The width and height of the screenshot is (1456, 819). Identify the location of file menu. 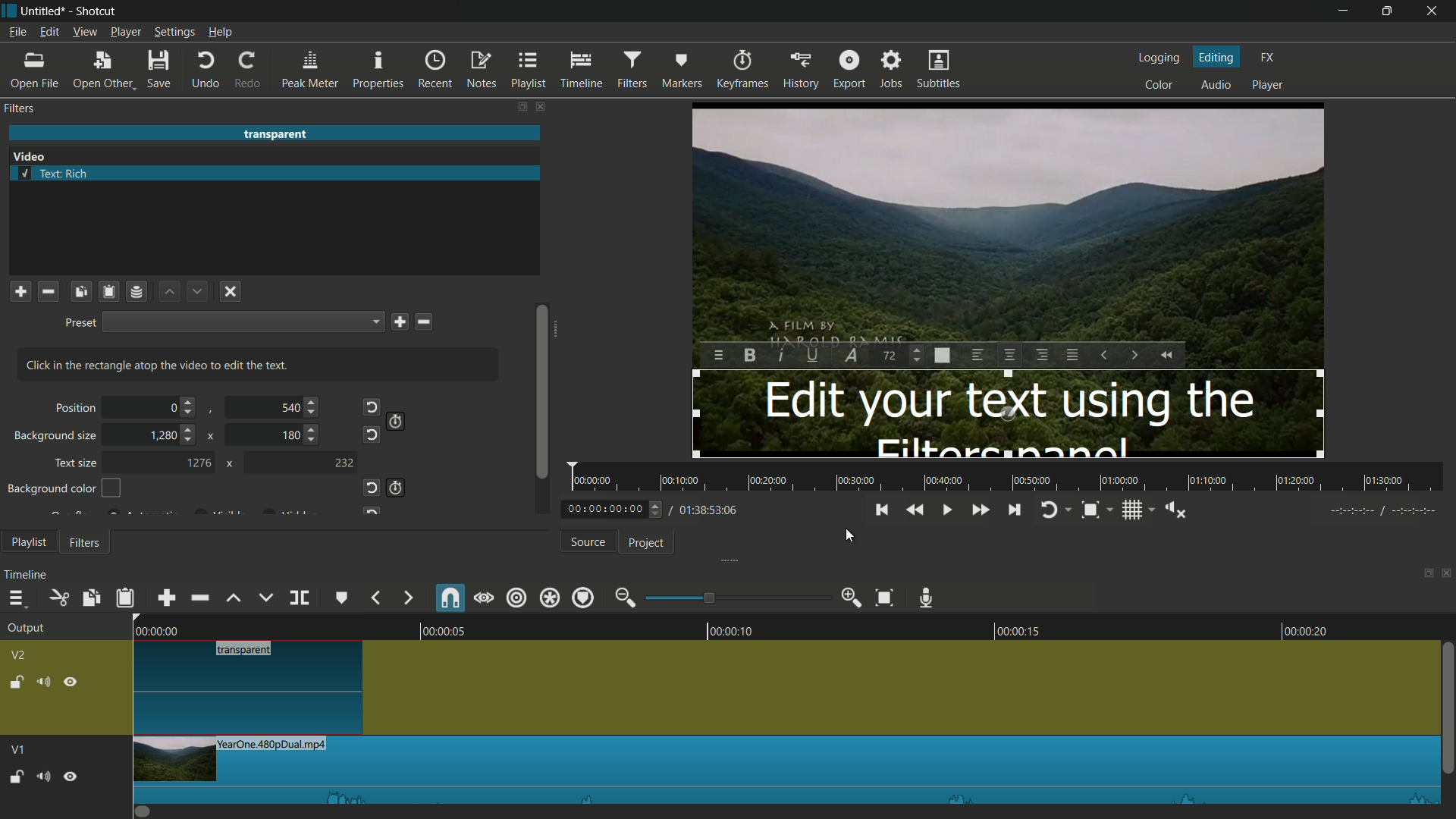
(17, 33).